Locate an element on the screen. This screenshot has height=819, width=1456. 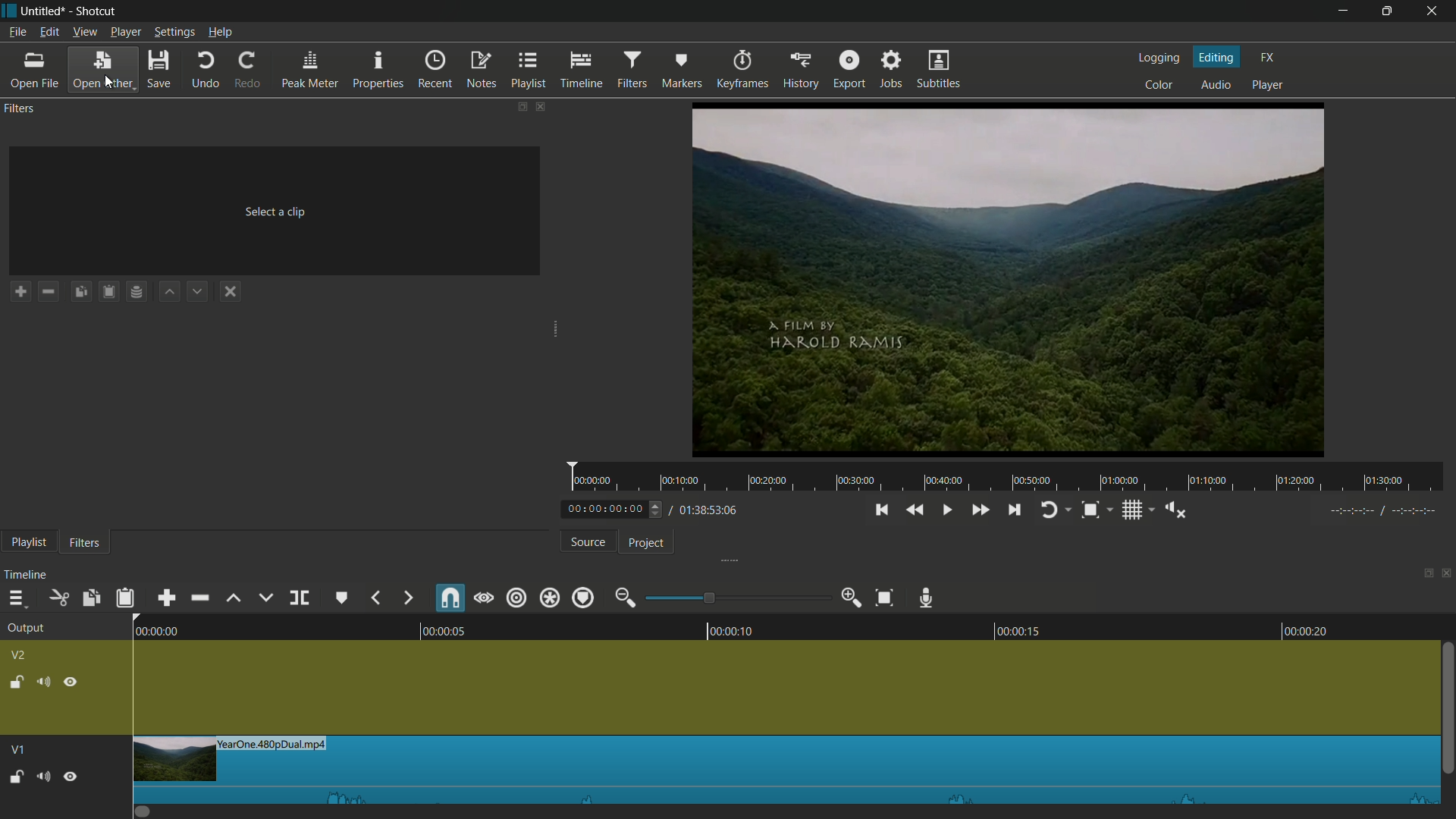
view menu is located at coordinates (86, 32).